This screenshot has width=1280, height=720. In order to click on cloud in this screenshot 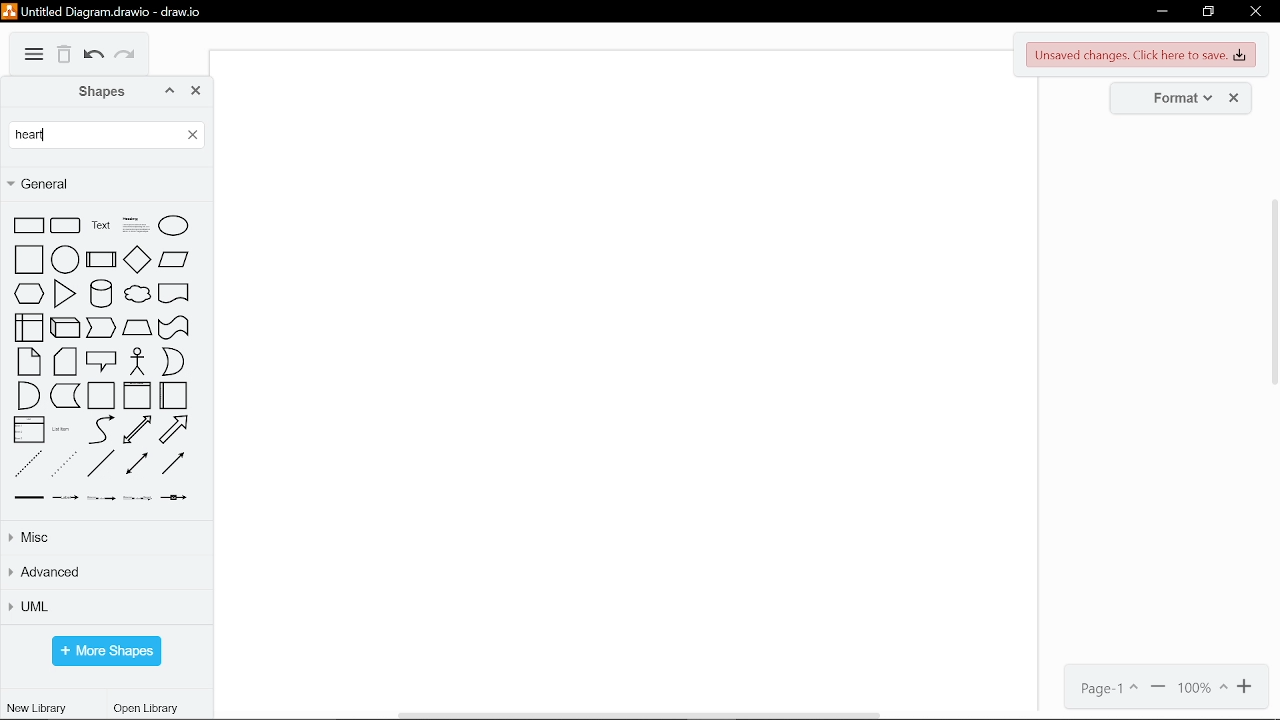, I will do `click(137, 296)`.